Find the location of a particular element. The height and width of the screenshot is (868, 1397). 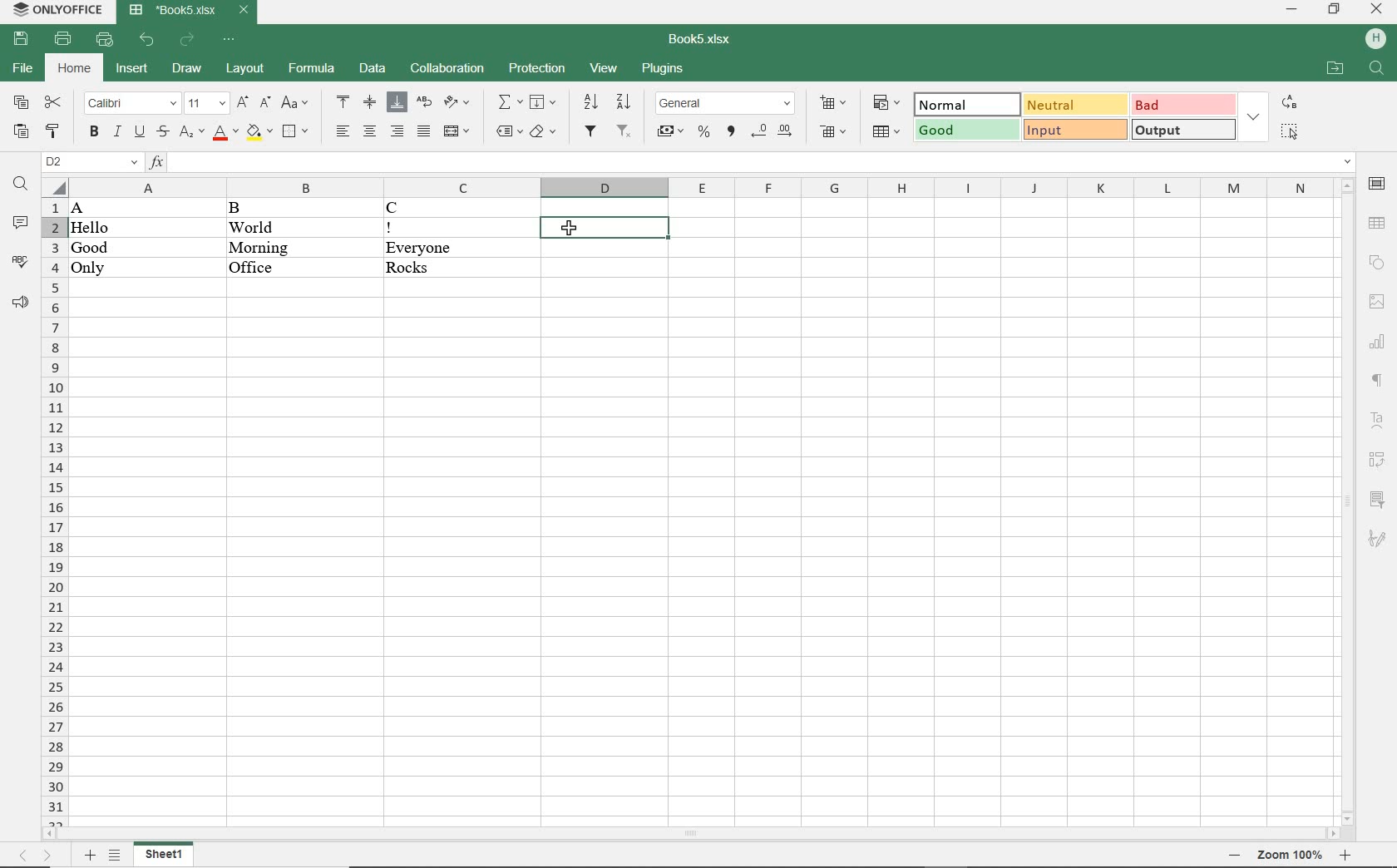

CUT is located at coordinates (54, 103).